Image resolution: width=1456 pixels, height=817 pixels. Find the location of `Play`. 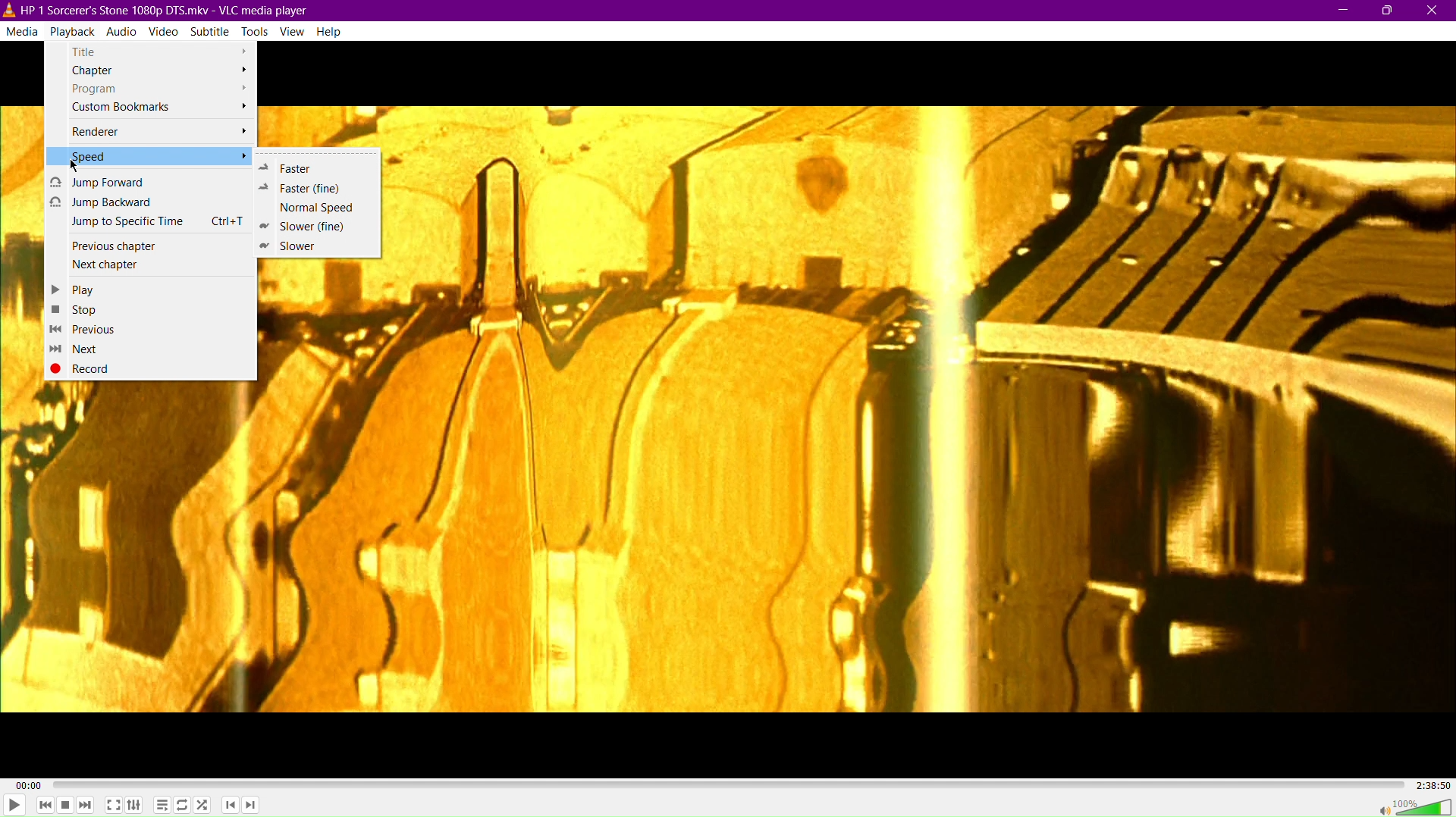

Play is located at coordinates (14, 806).